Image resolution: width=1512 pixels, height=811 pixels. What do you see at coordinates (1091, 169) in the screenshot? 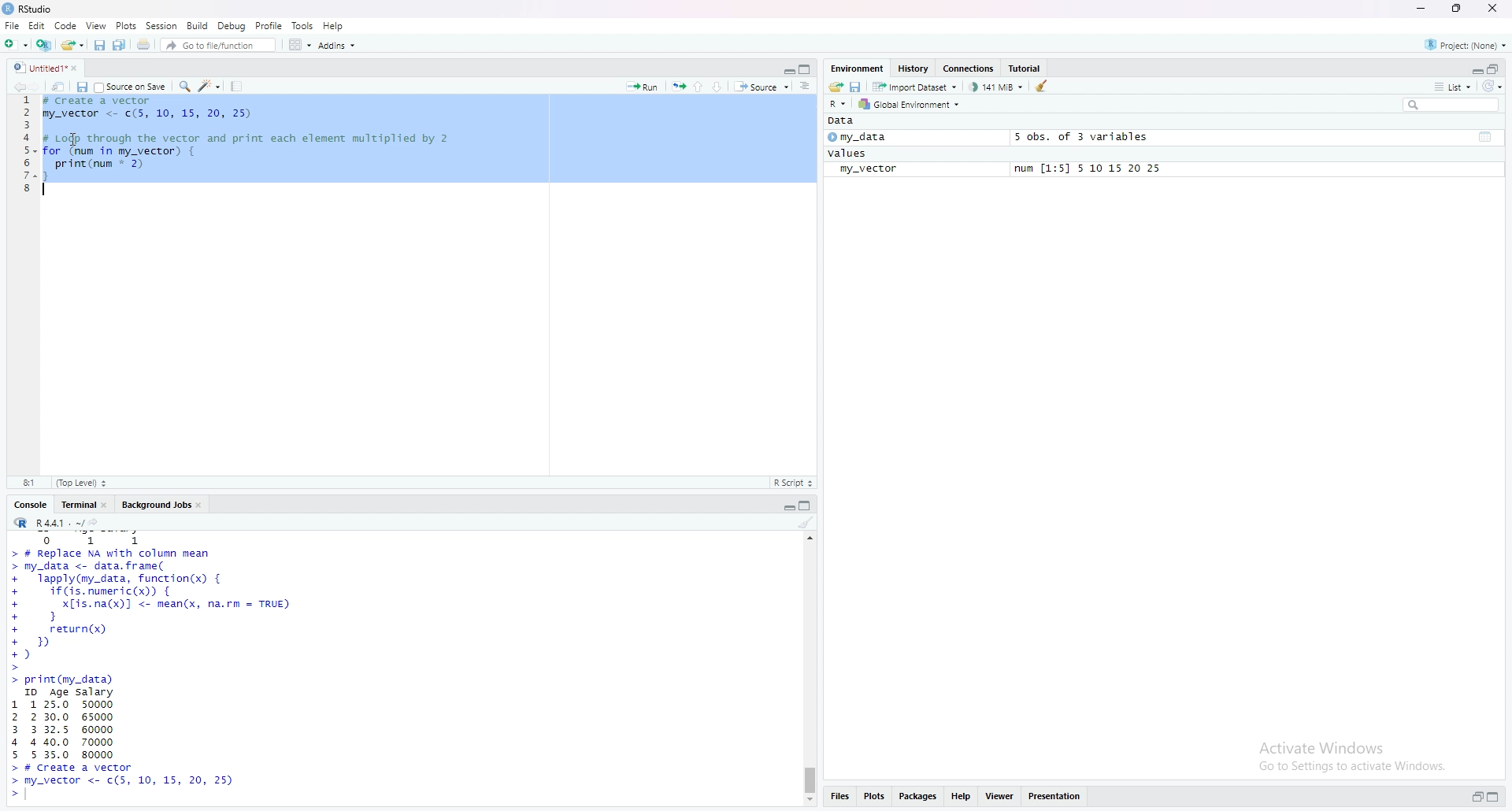
I see `num [1:5] 5 10 15 20 25` at bounding box center [1091, 169].